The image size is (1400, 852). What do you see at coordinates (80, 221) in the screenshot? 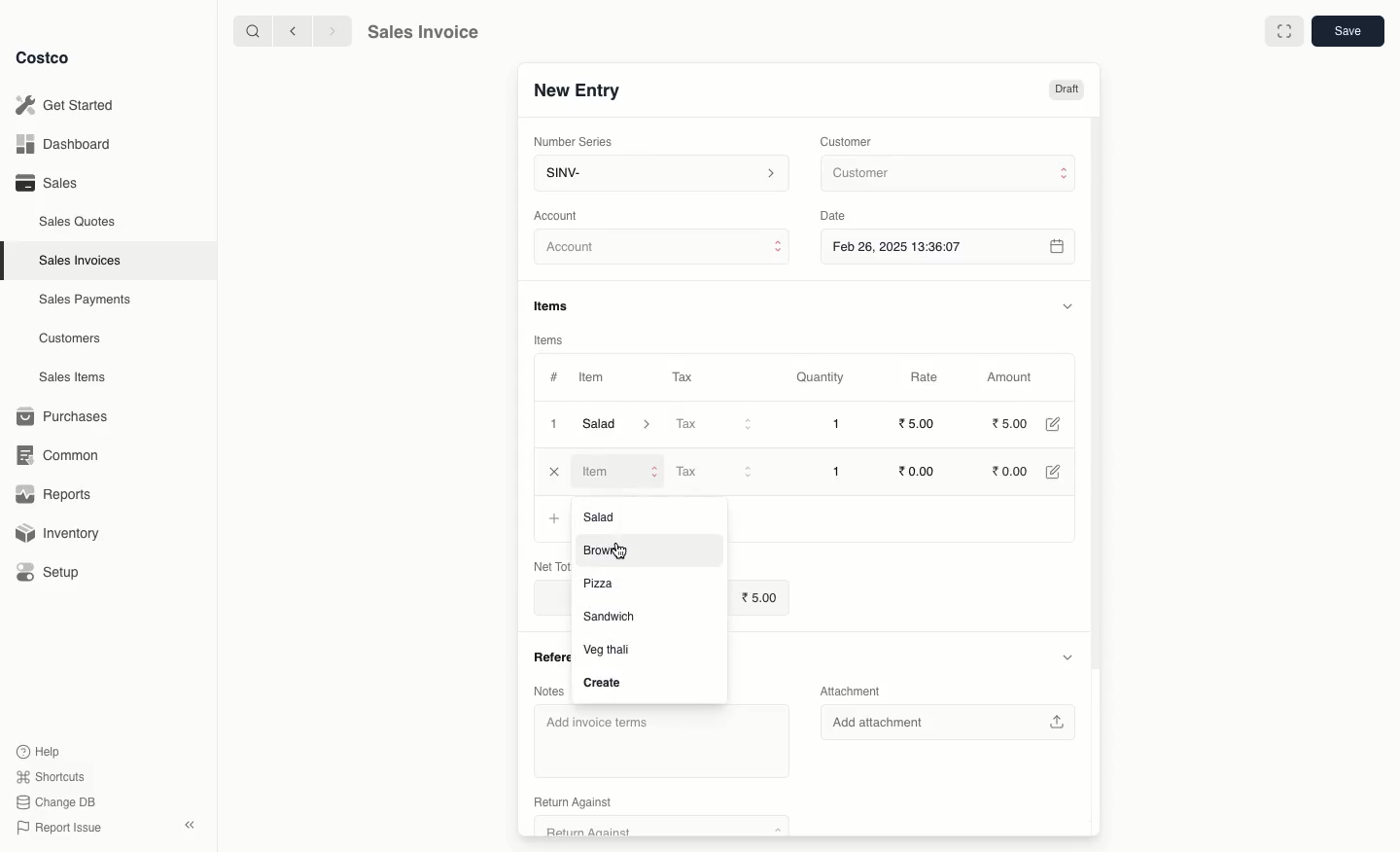
I see `Sales Quotes` at bounding box center [80, 221].